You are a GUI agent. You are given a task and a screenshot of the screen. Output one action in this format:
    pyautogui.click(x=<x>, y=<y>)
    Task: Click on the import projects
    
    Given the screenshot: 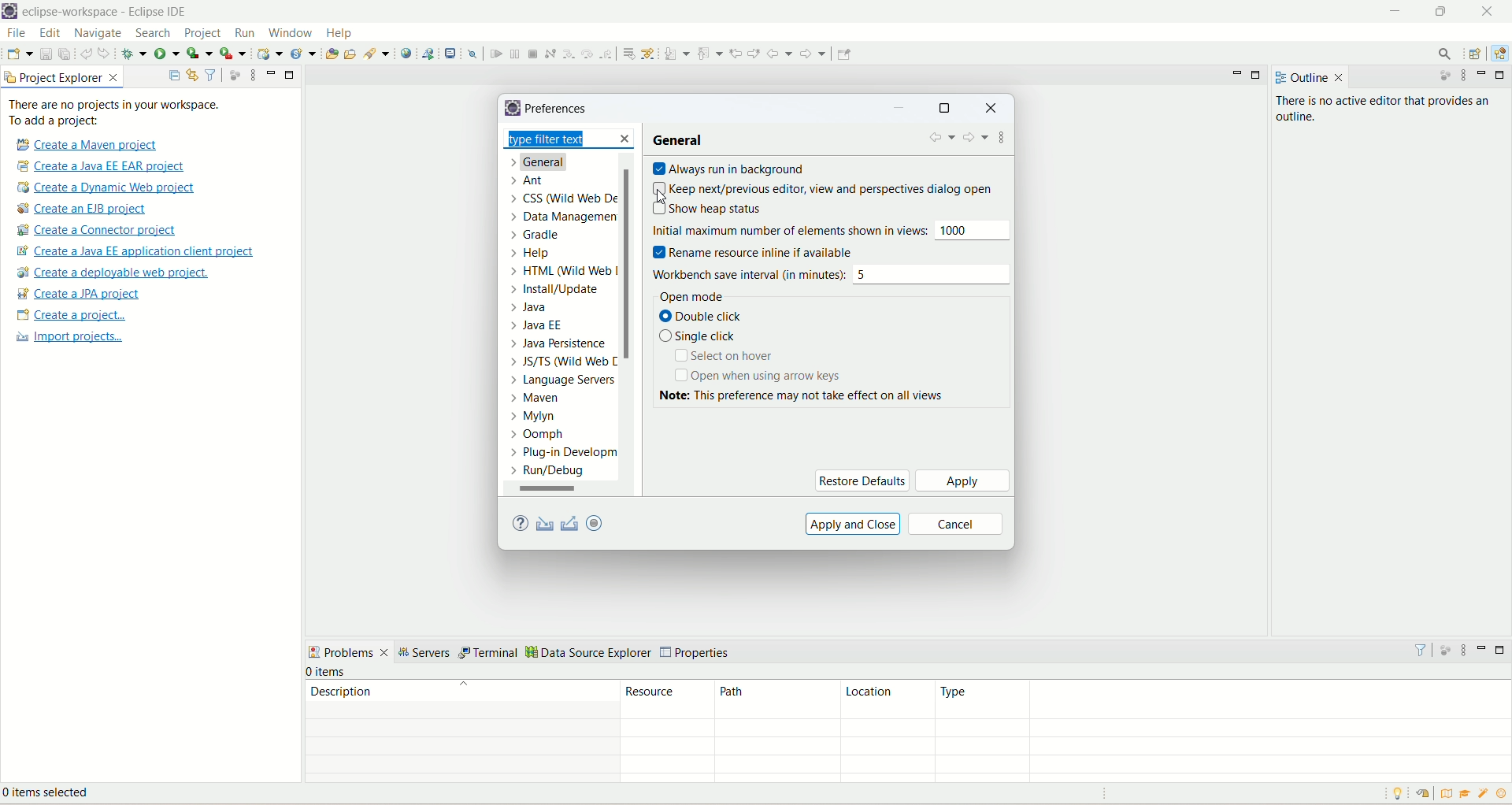 What is the action you would take?
    pyautogui.click(x=67, y=339)
    